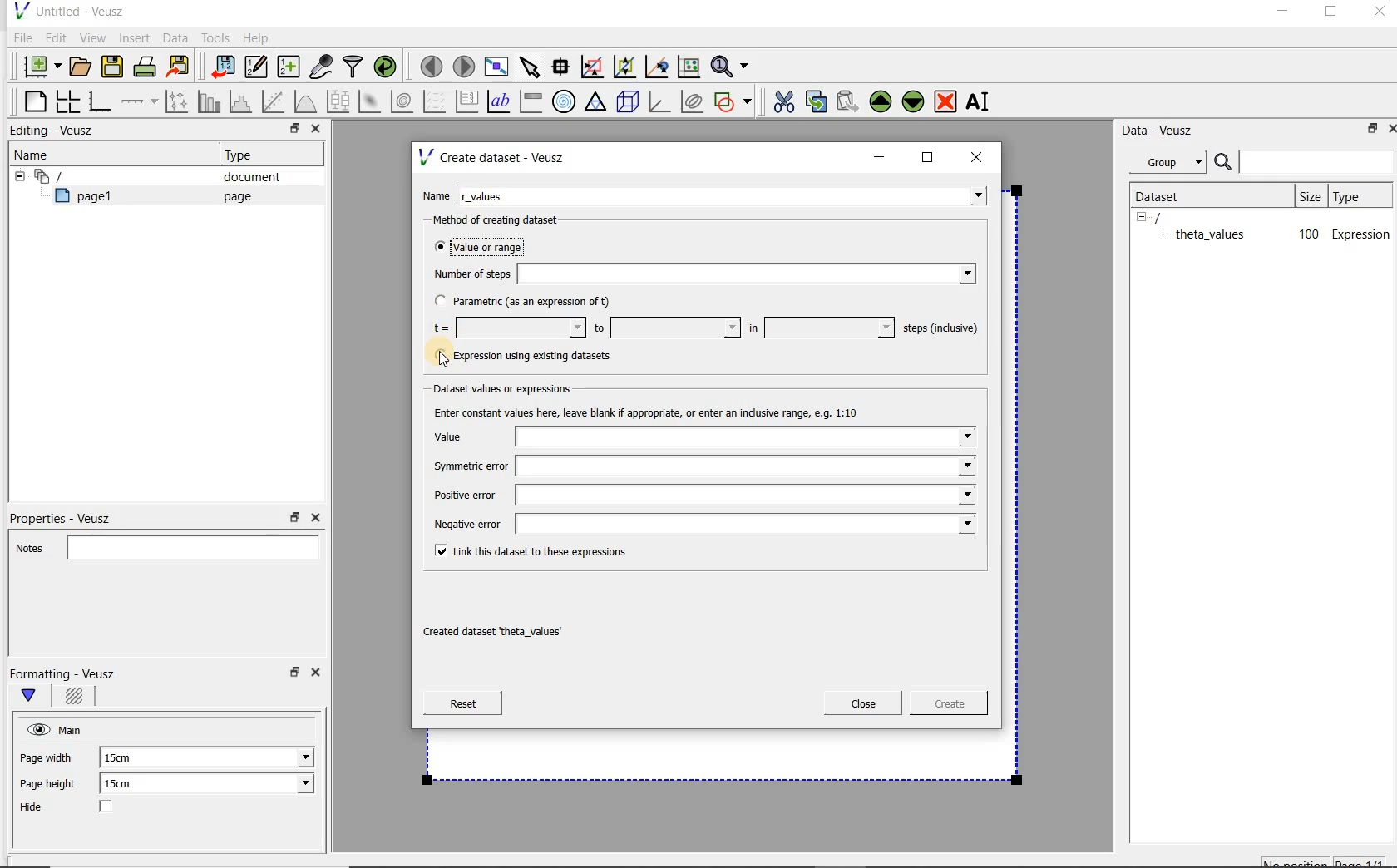 The width and height of the screenshot is (1397, 868). What do you see at coordinates (880, 157) in the screenshot?
I see `minimize` at bounding box center [880, 157].